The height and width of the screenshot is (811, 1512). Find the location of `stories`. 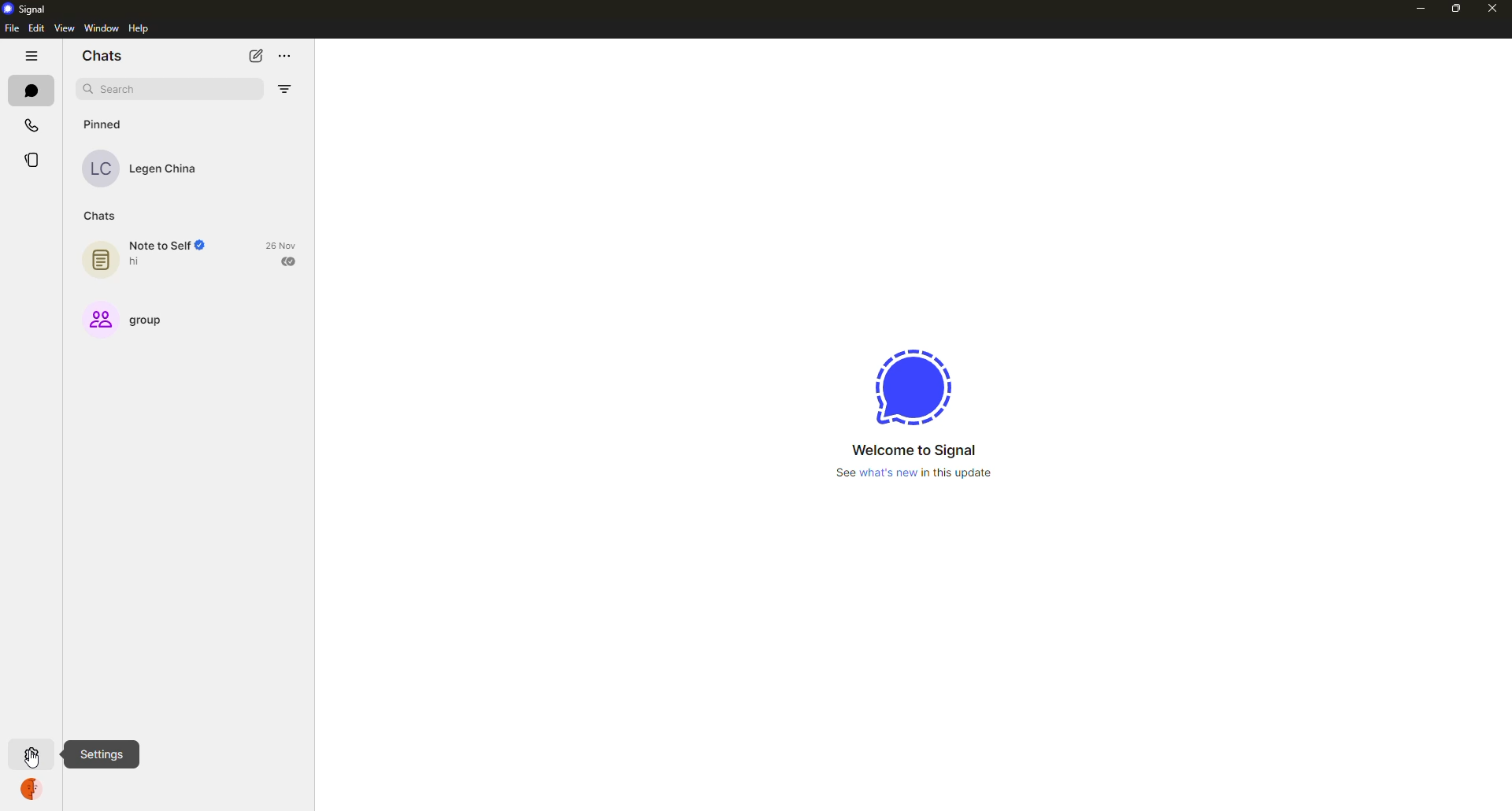

stories is located at coordinates (36, 160).